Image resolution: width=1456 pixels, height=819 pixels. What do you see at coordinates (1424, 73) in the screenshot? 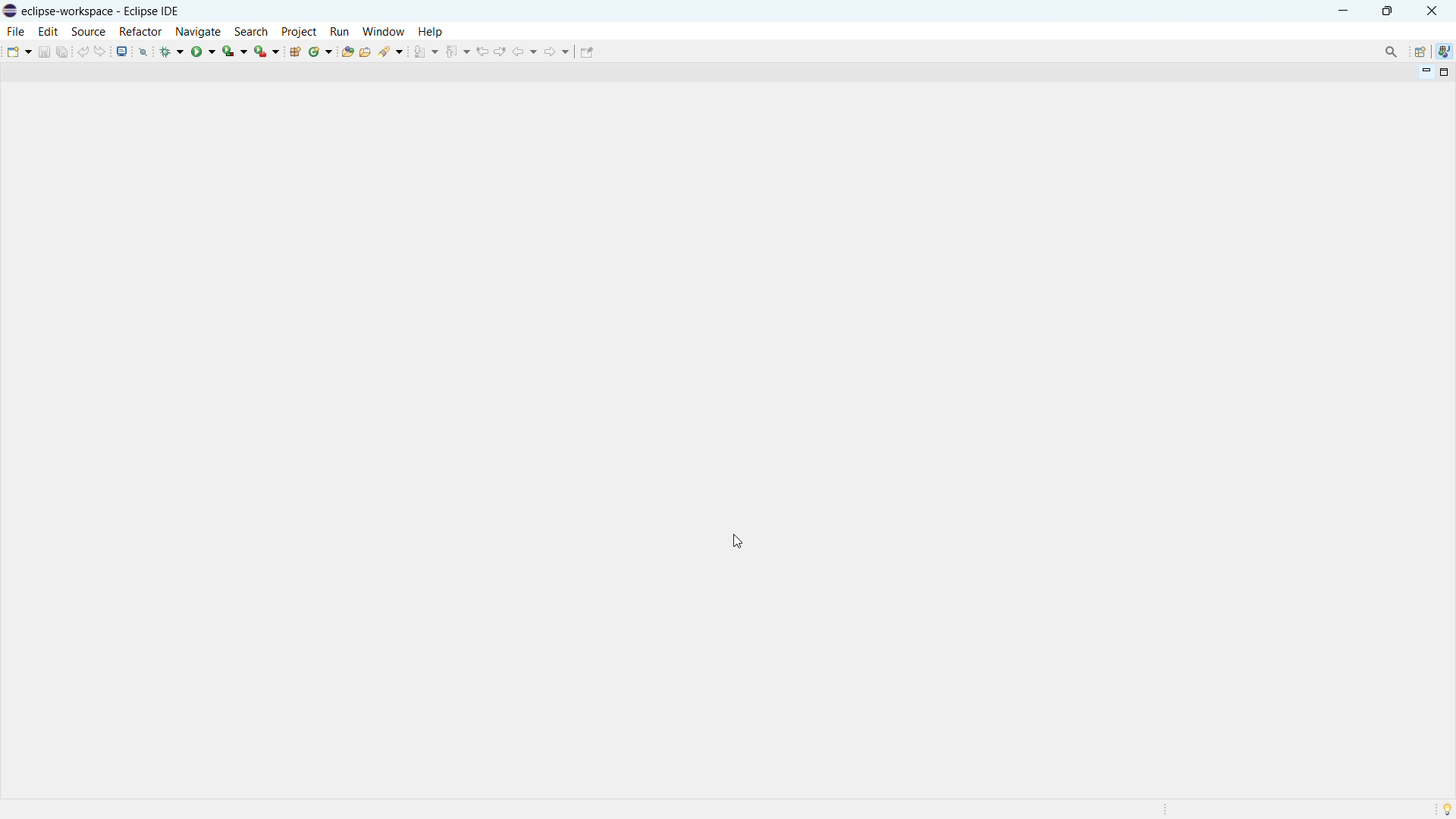
I see `minimize view` at bounding box center [1424, 73].